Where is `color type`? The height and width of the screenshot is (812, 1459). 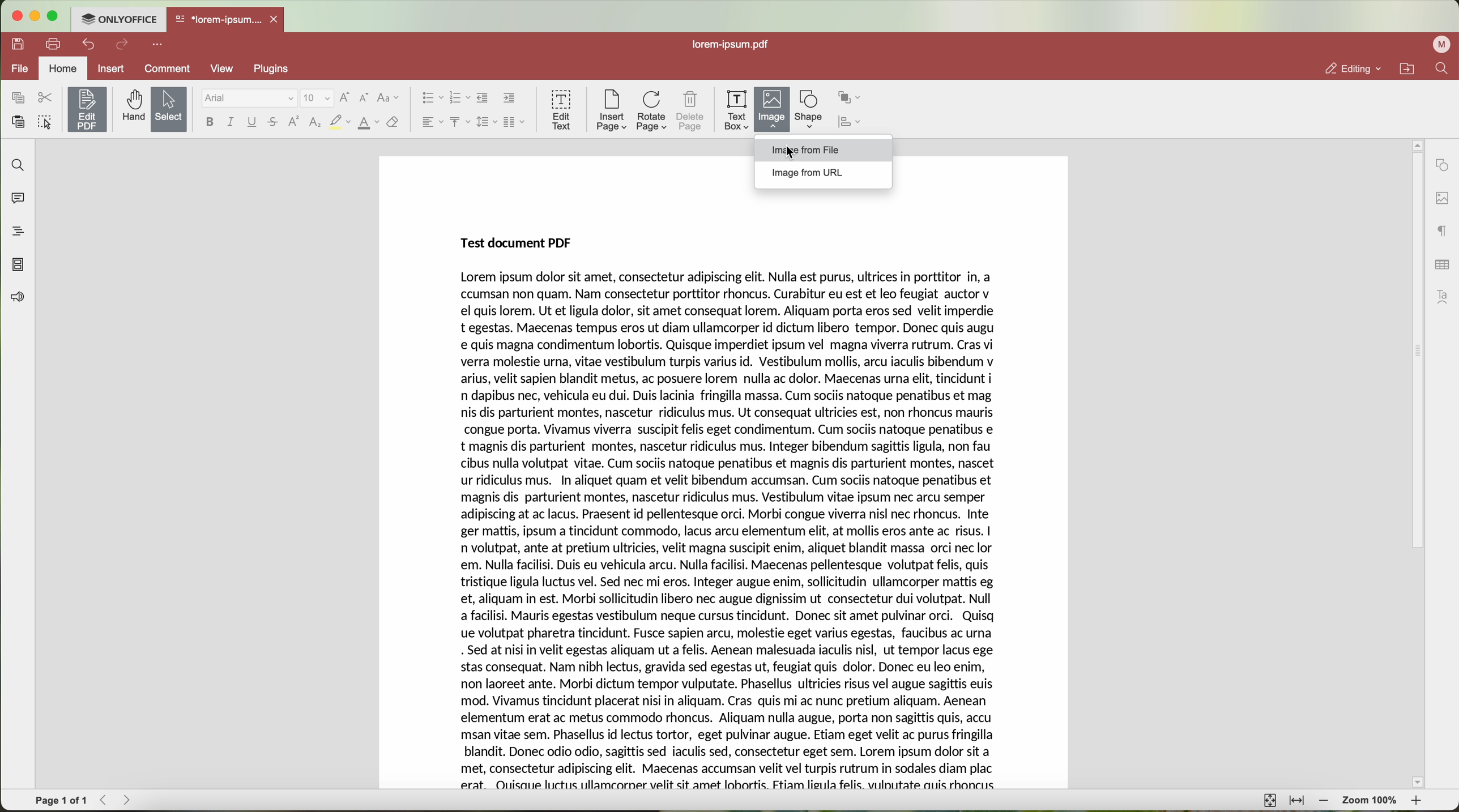 color type is located at coordinates (369, 123).